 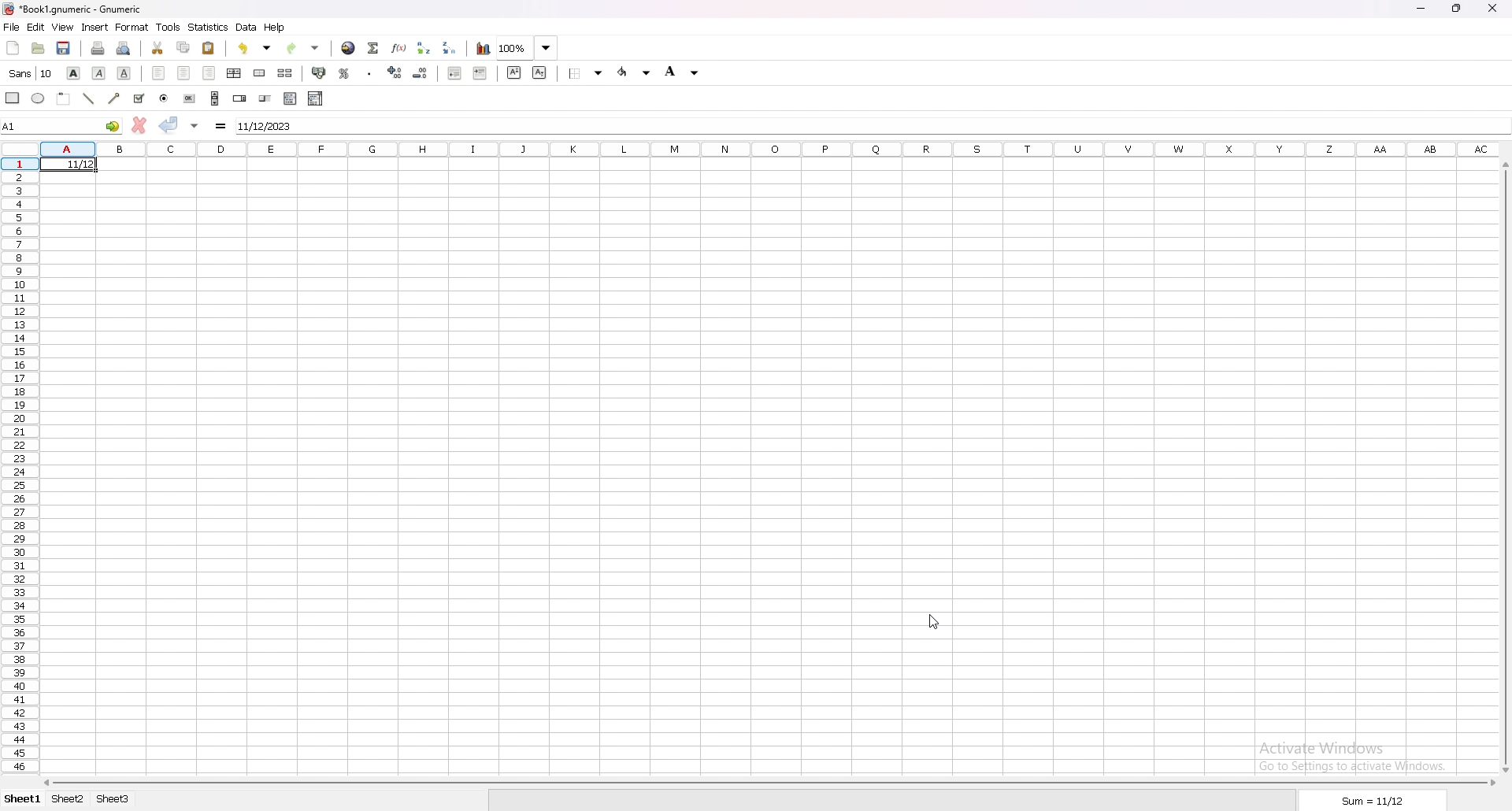 I want to click on cursor, so click(x=932, y=621).